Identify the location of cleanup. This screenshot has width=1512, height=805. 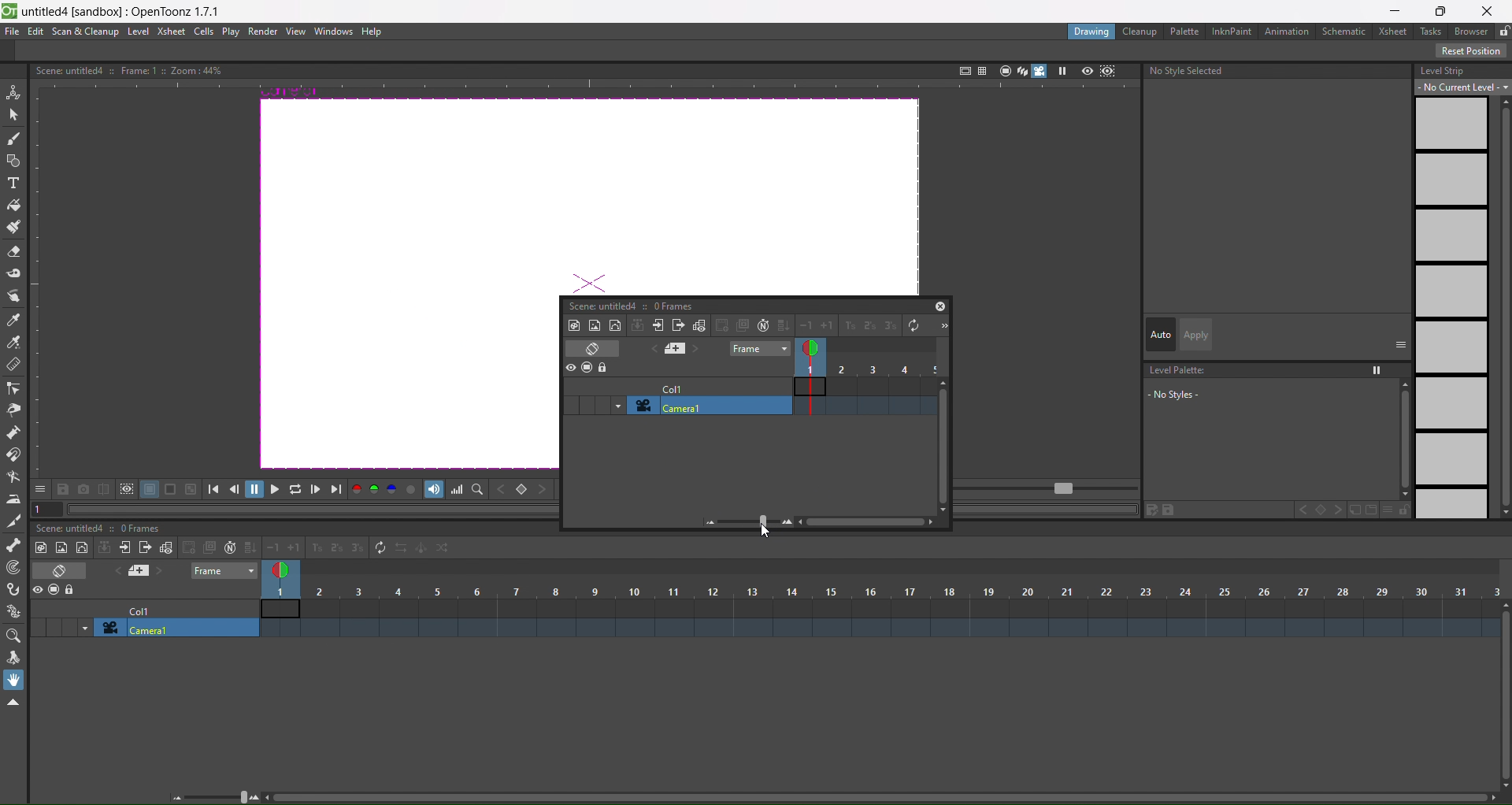
(1140, 32).